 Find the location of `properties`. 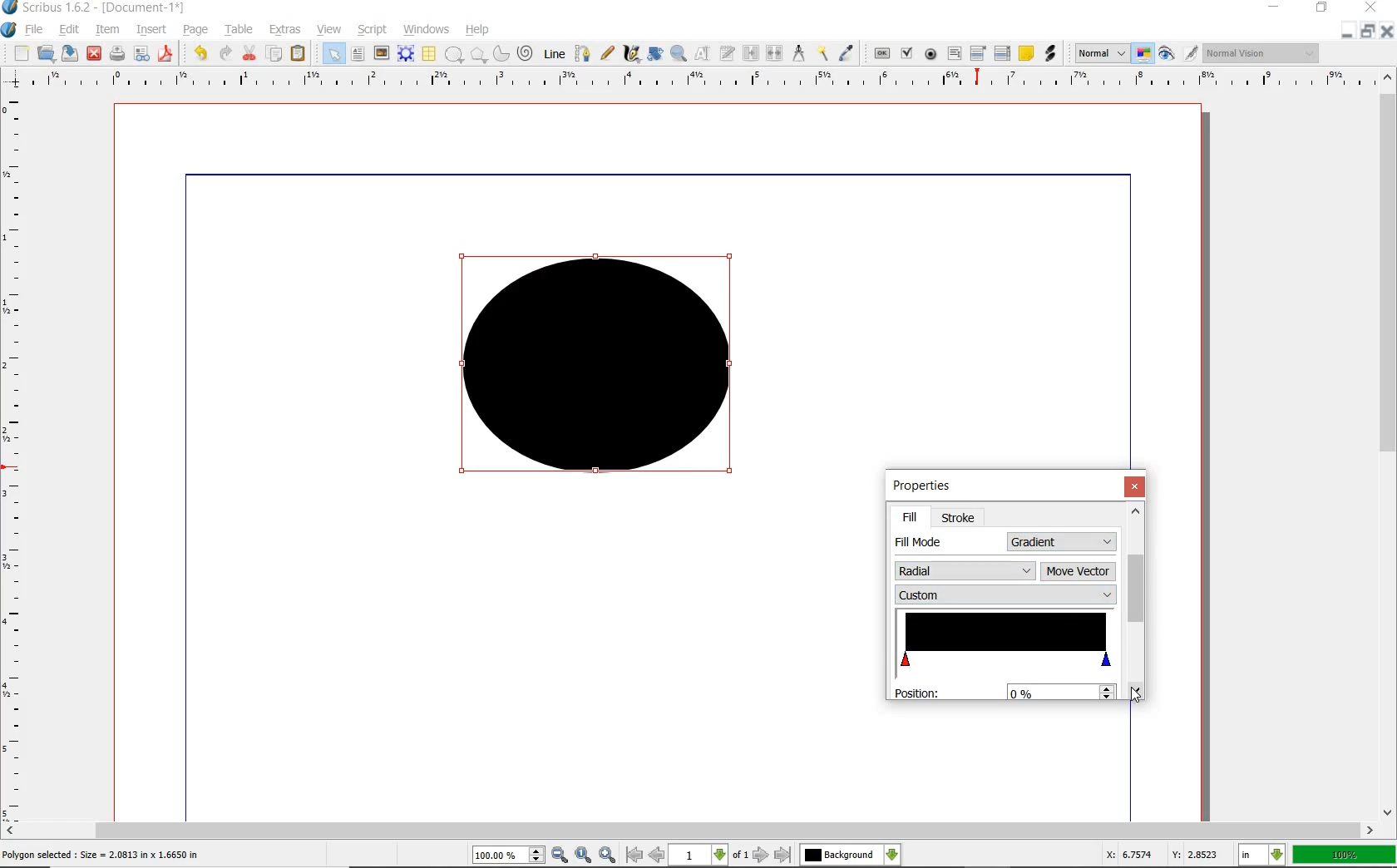

properties is located at coordinates (938, 486).